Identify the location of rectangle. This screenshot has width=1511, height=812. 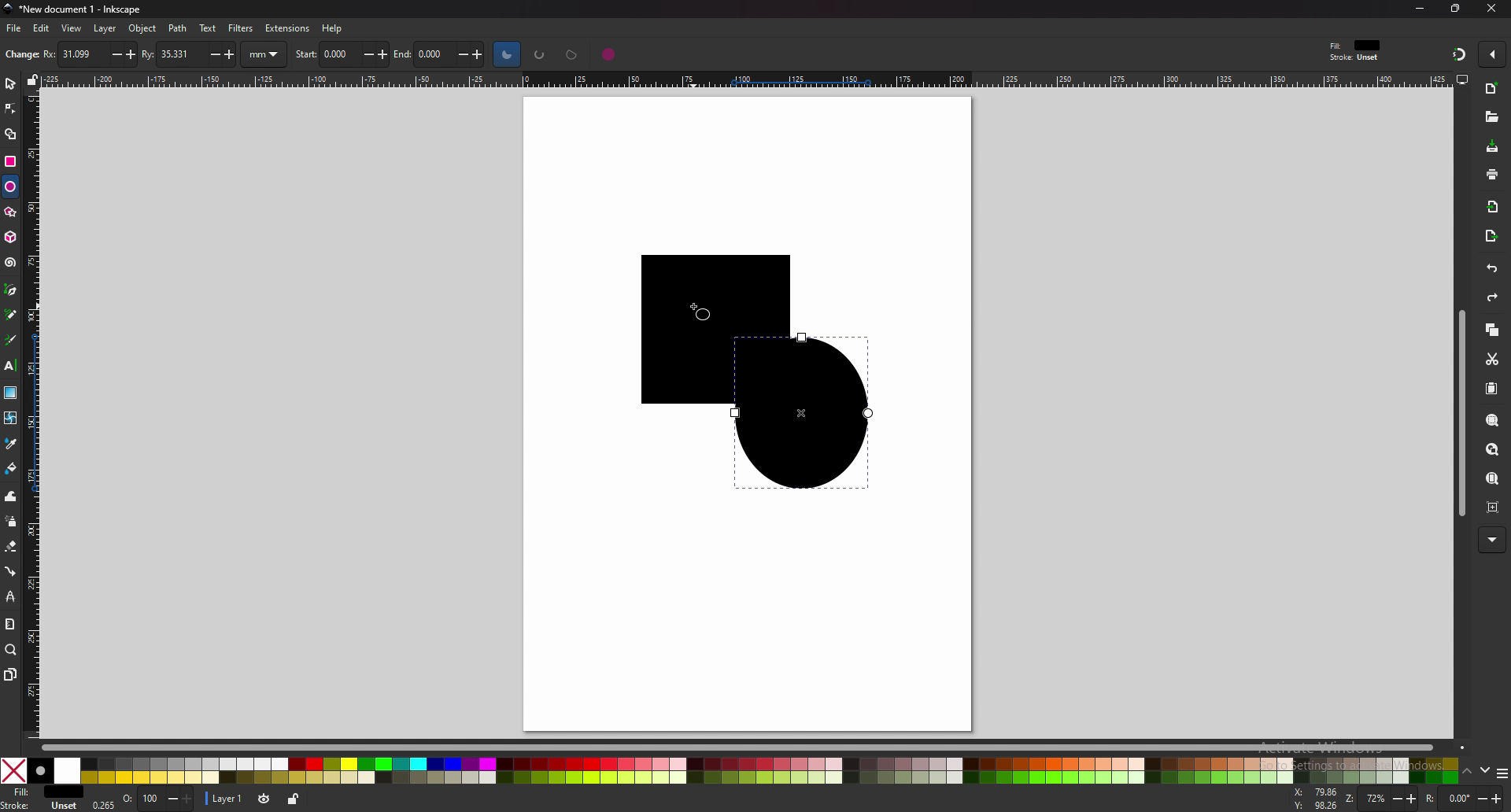
(11, 160).